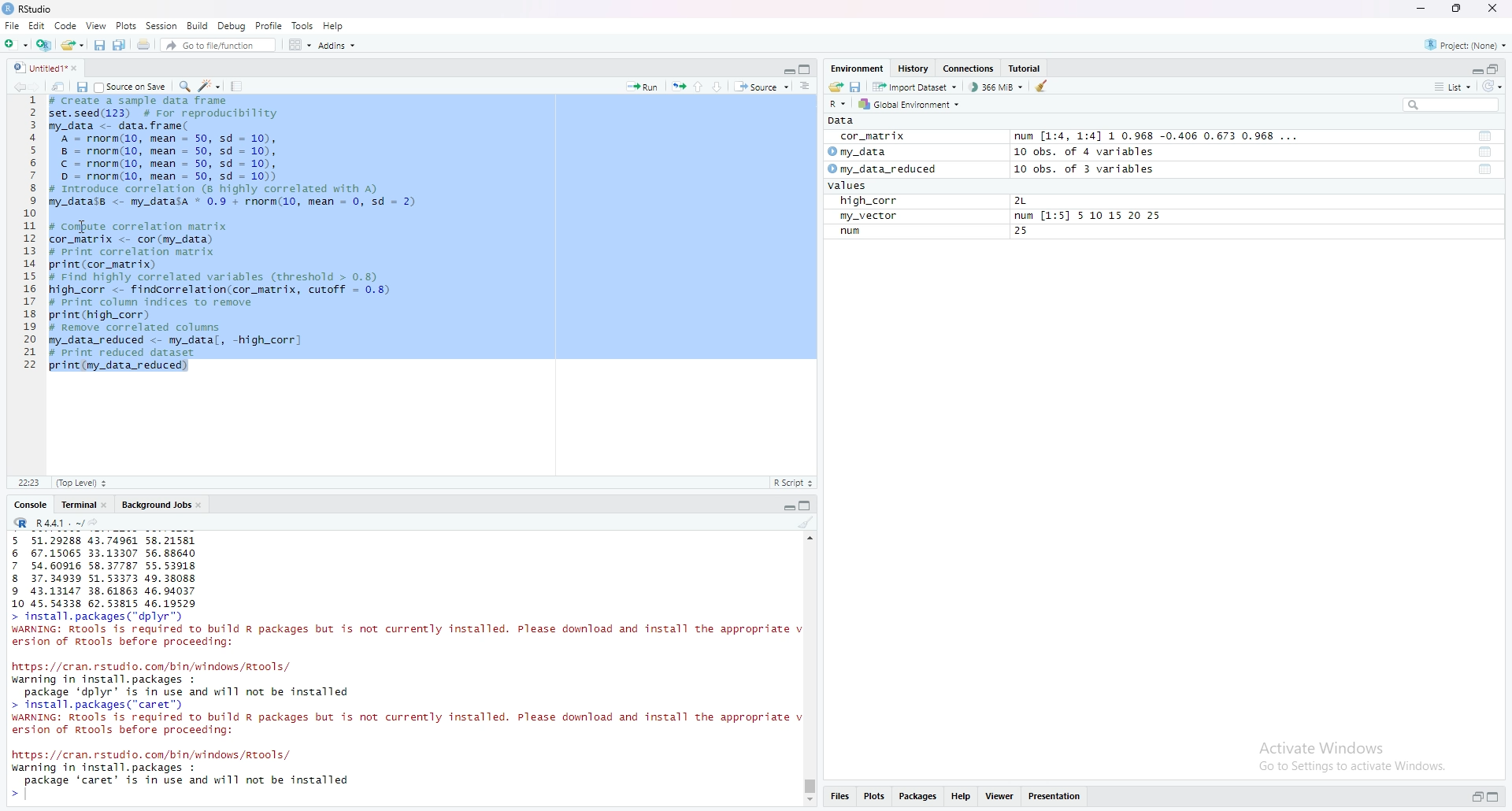  I want to click on Go to file/function , so click(221, 46).